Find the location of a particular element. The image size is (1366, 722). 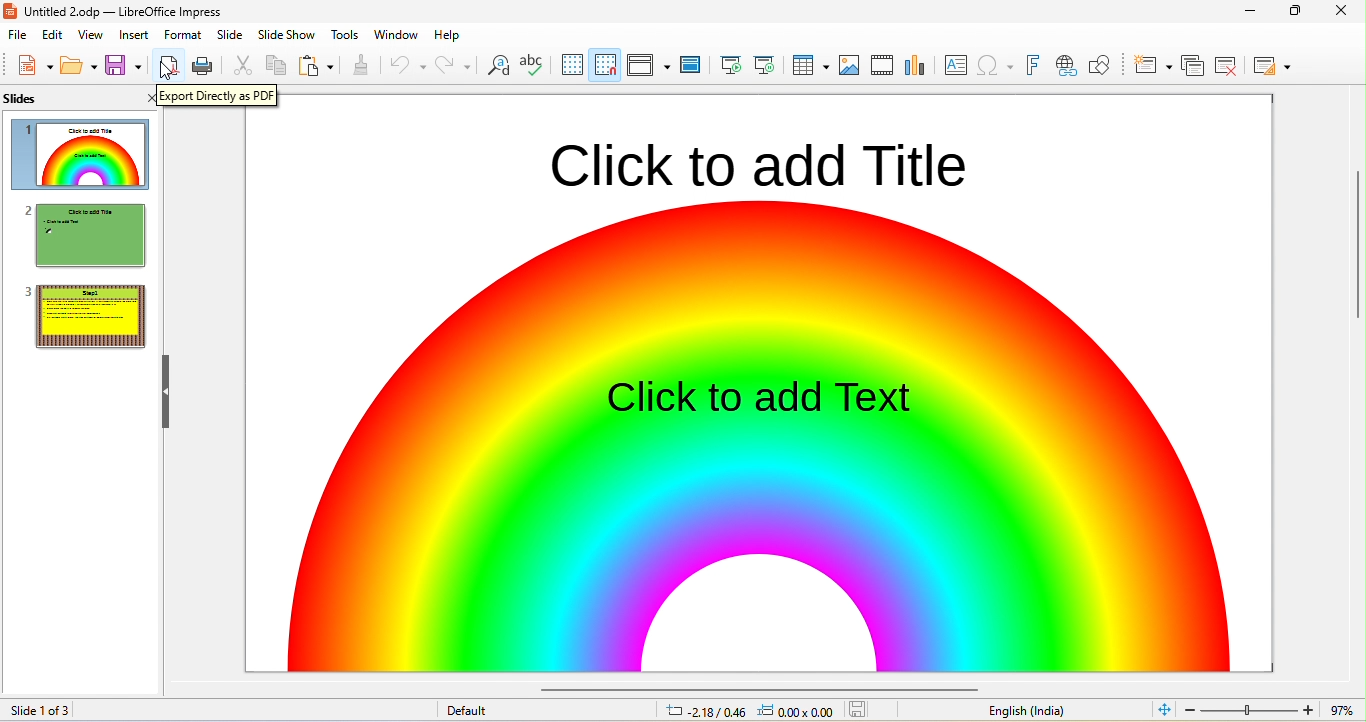

start from current  is located at coordinates (727, 63).